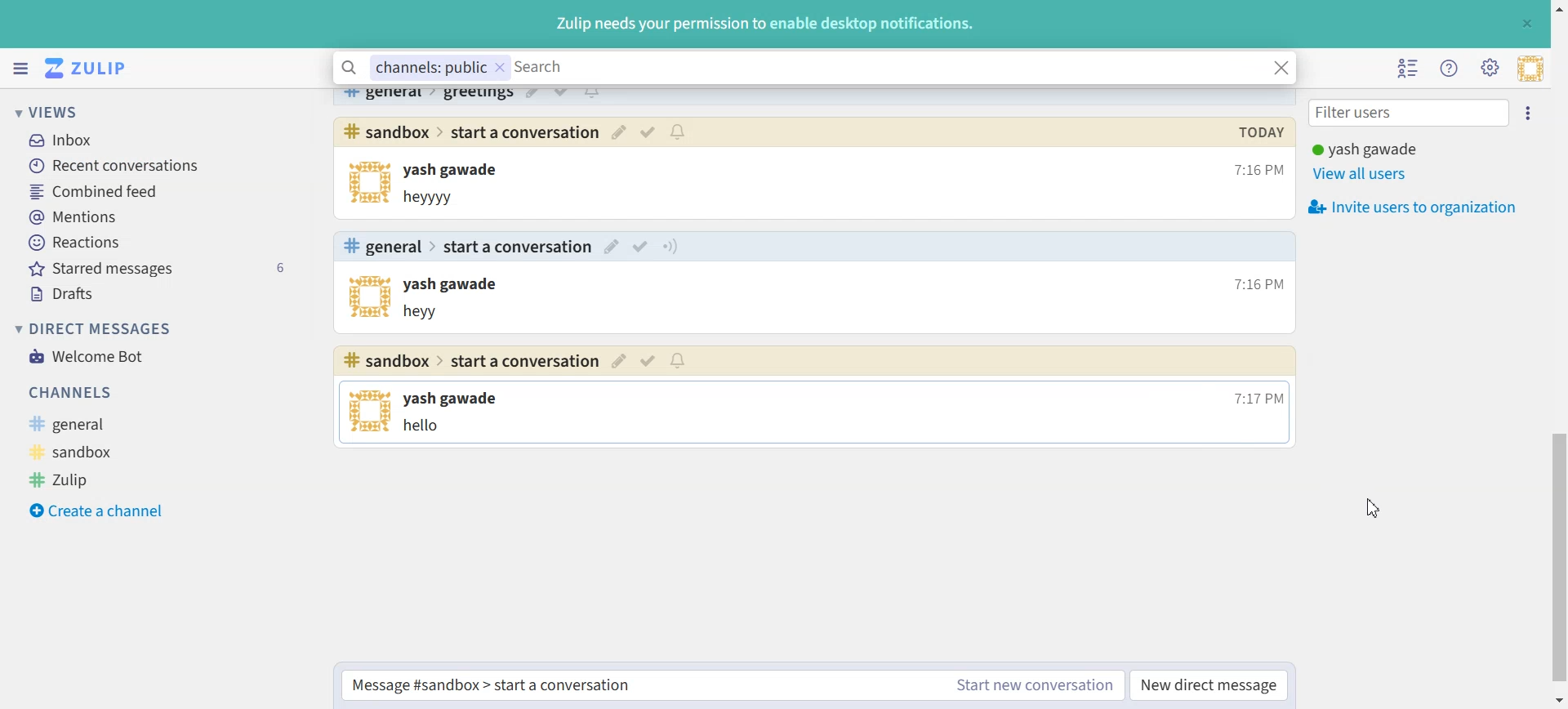 Image resolution: width=1568 pixels, height=709 pixels. Describe the element at coordinates (591, 94) in the screenshot. I see `notifications` at that location.